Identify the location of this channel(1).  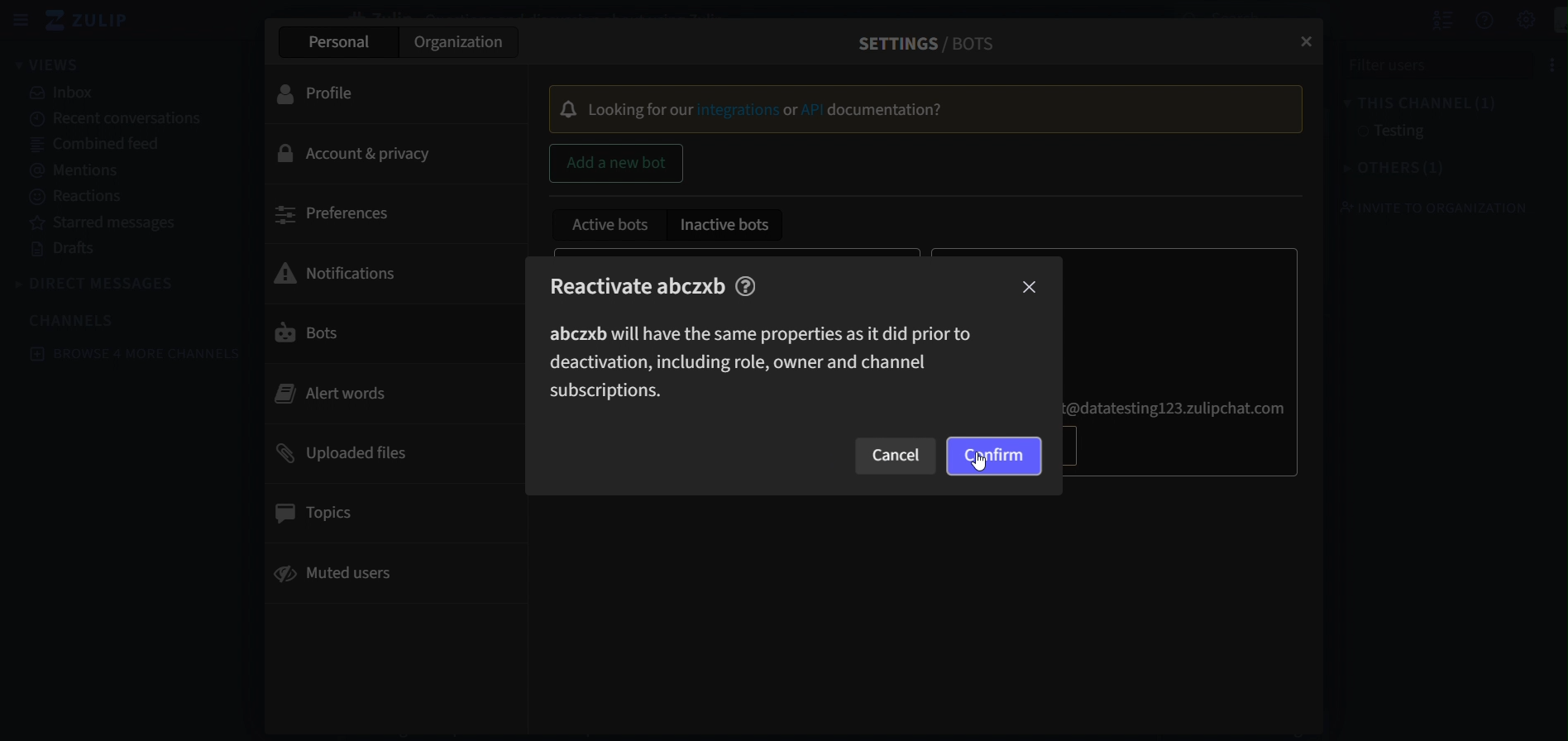
(1411, 101).